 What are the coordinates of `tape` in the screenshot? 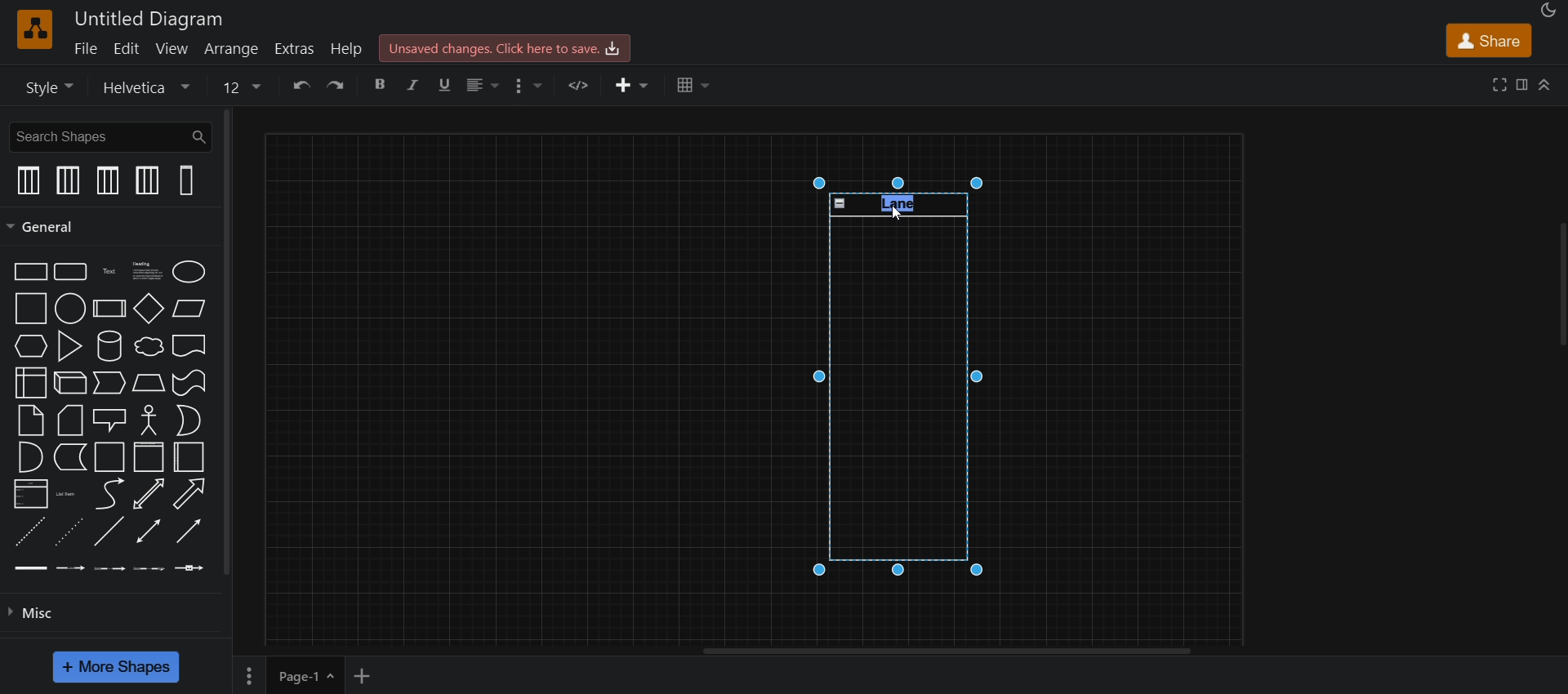 It's located at (189, 385).